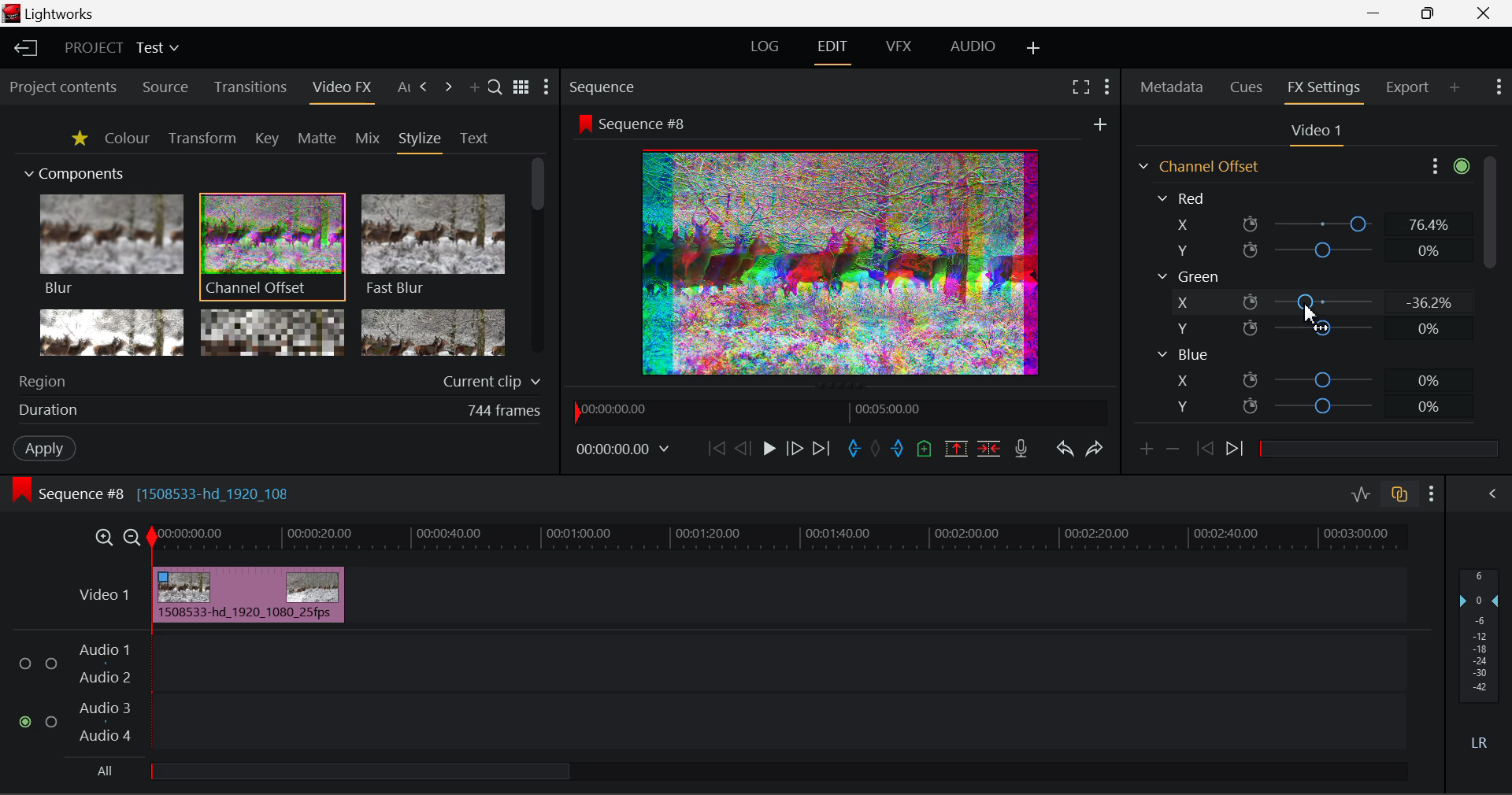 This screenshot has width=1512, height=795. What do you see at coordinates (1082, 89) in the screenshot?
I see `Full Screen` at bounding box center [1082, 89].